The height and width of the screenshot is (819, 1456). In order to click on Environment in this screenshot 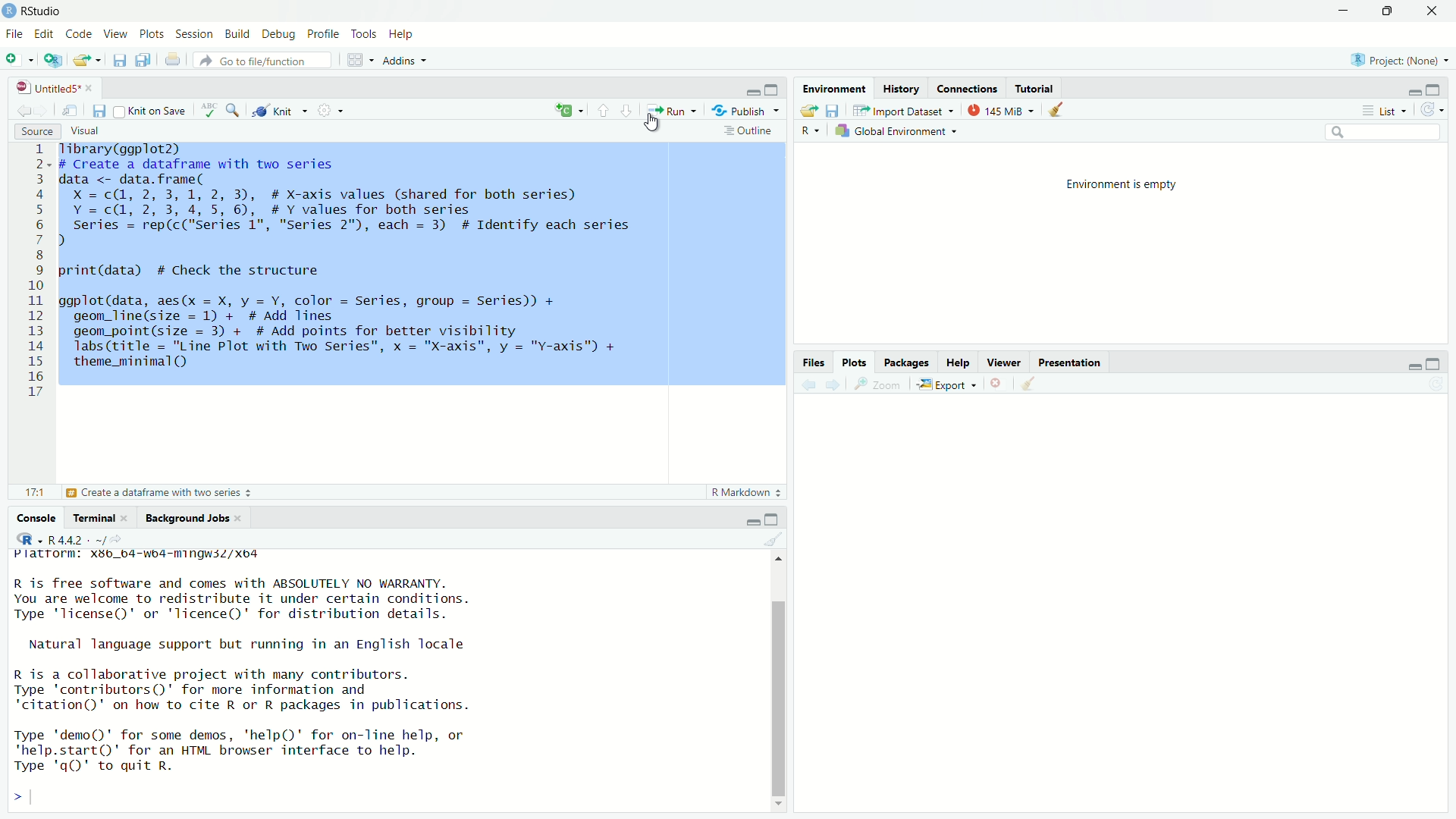, I will do `click(833, 86)`.